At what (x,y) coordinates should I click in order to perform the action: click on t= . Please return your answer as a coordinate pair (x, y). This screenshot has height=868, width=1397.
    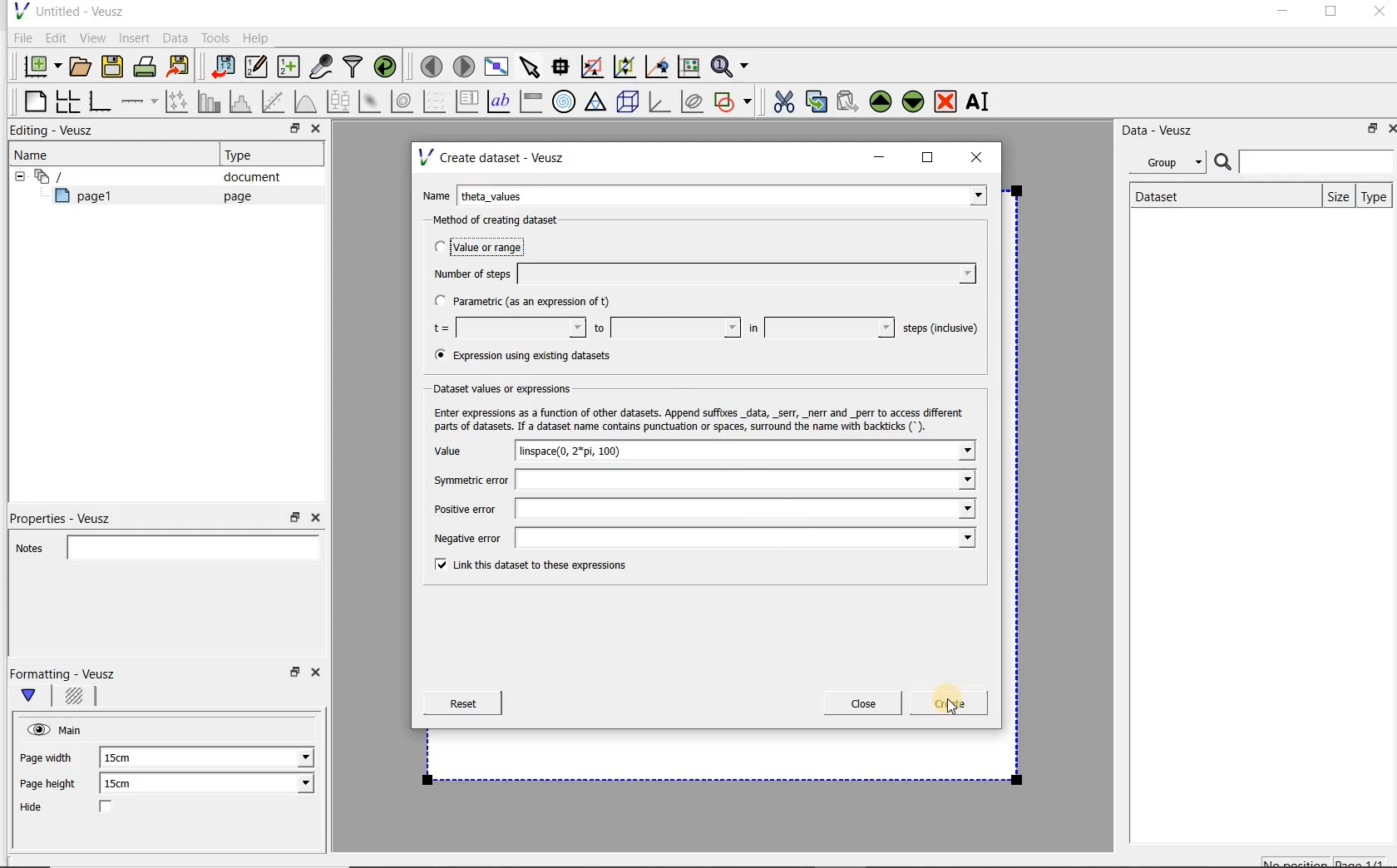
    Looking at the image, I should click on (506, 328).